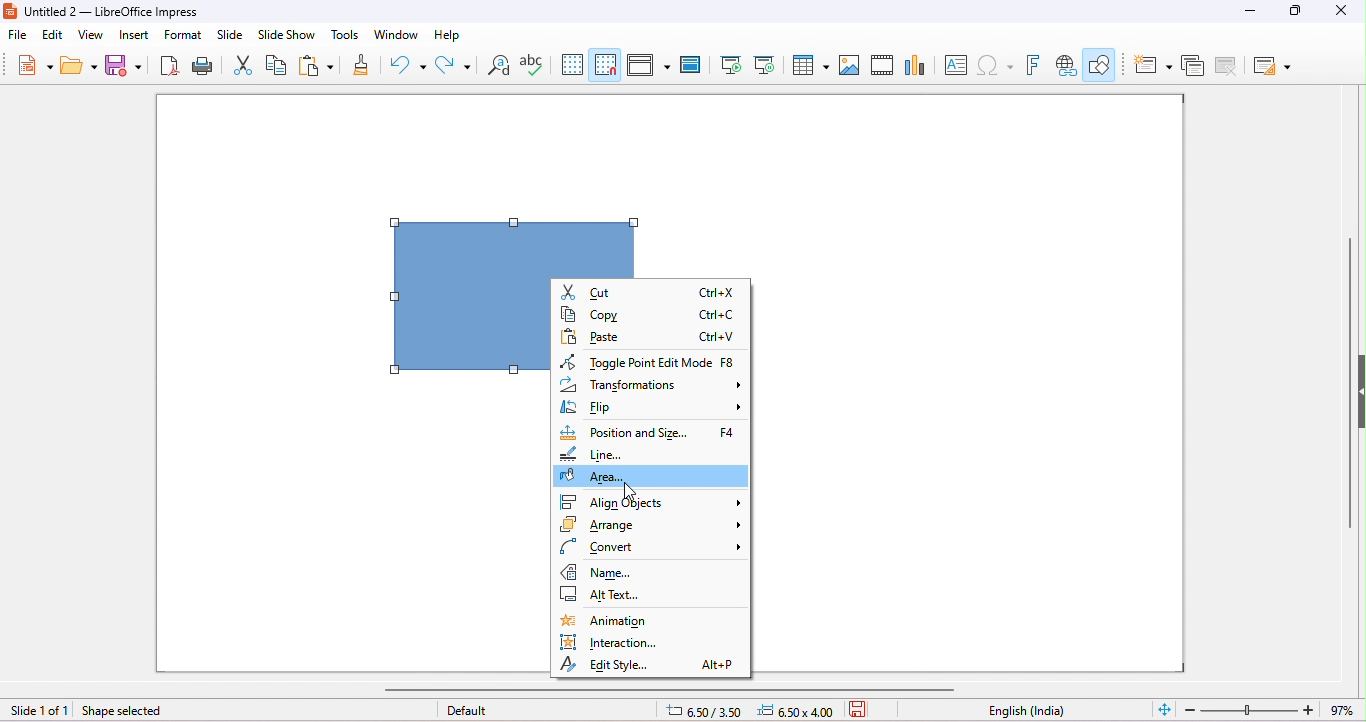  I want to click on paste    Ctrl+V, so click(648, 336).